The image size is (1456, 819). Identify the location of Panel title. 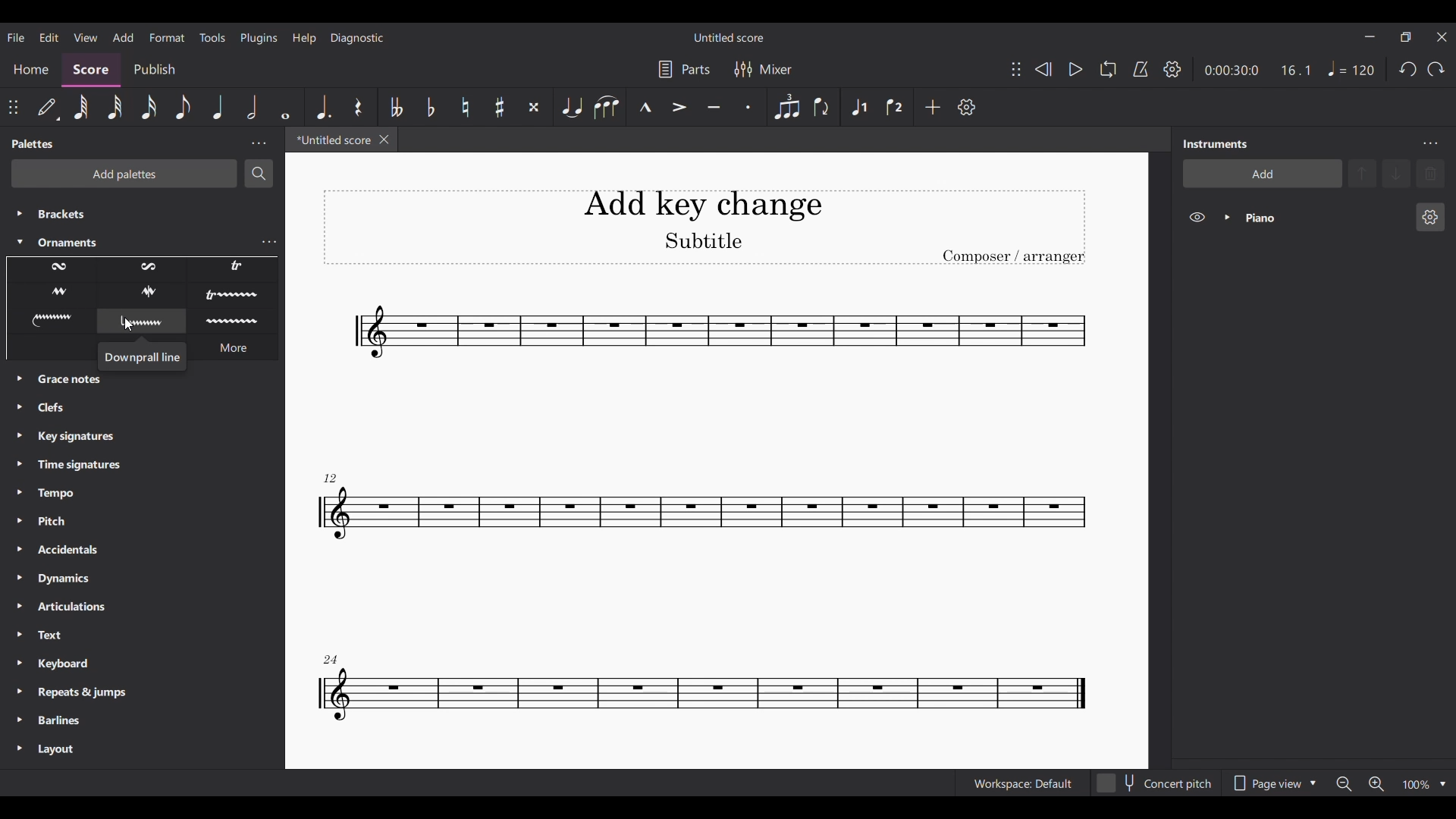
(33, 143).